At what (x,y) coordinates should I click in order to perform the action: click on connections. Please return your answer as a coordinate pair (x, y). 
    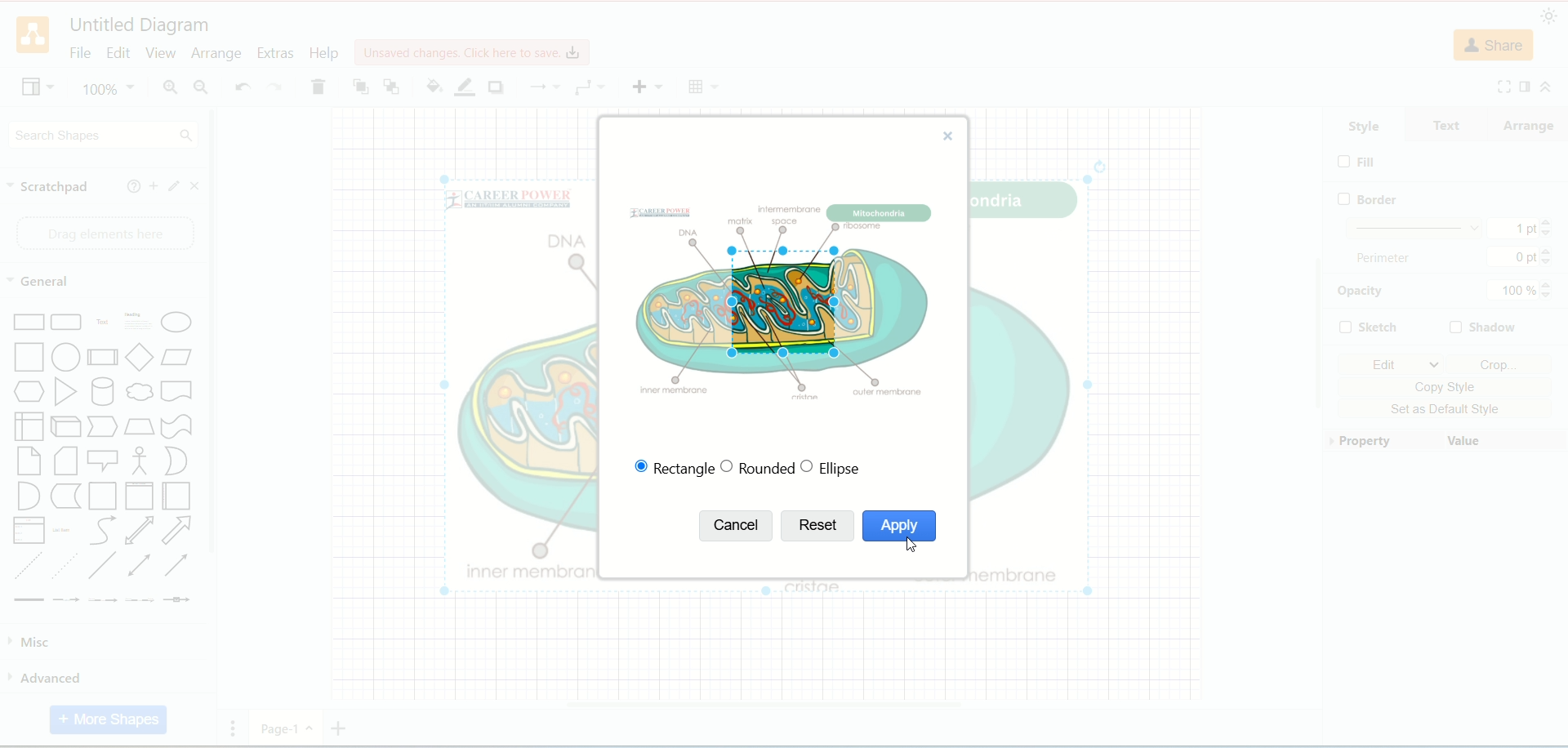
    Looking at the image, I should click on (545, 87).